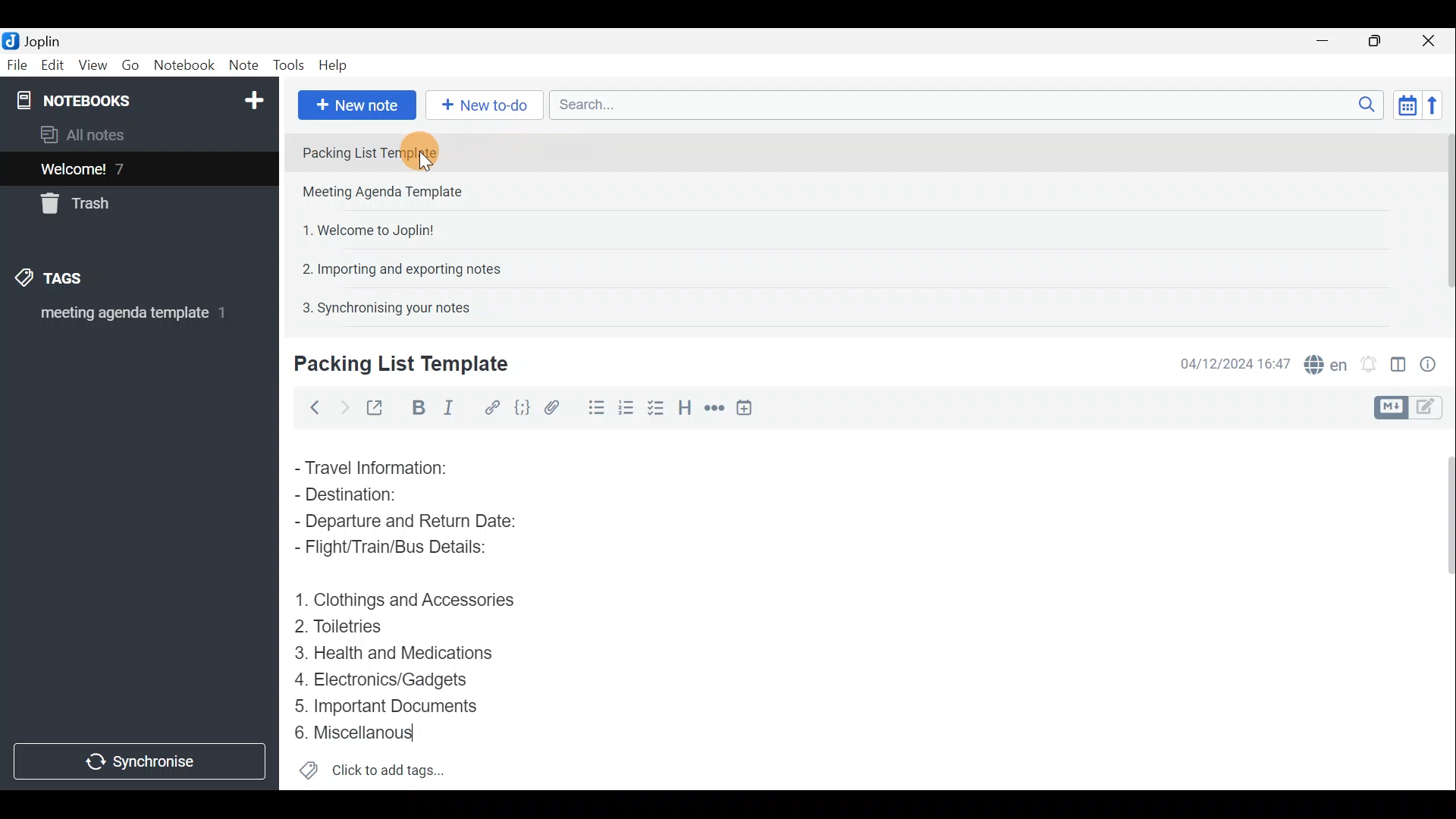 Image resolution: width=1456 pixels, height=819 pixels. What do you see at coordinates (454, 407) in the screenshot?
I see `Italic` at bounding box center [454, 407].